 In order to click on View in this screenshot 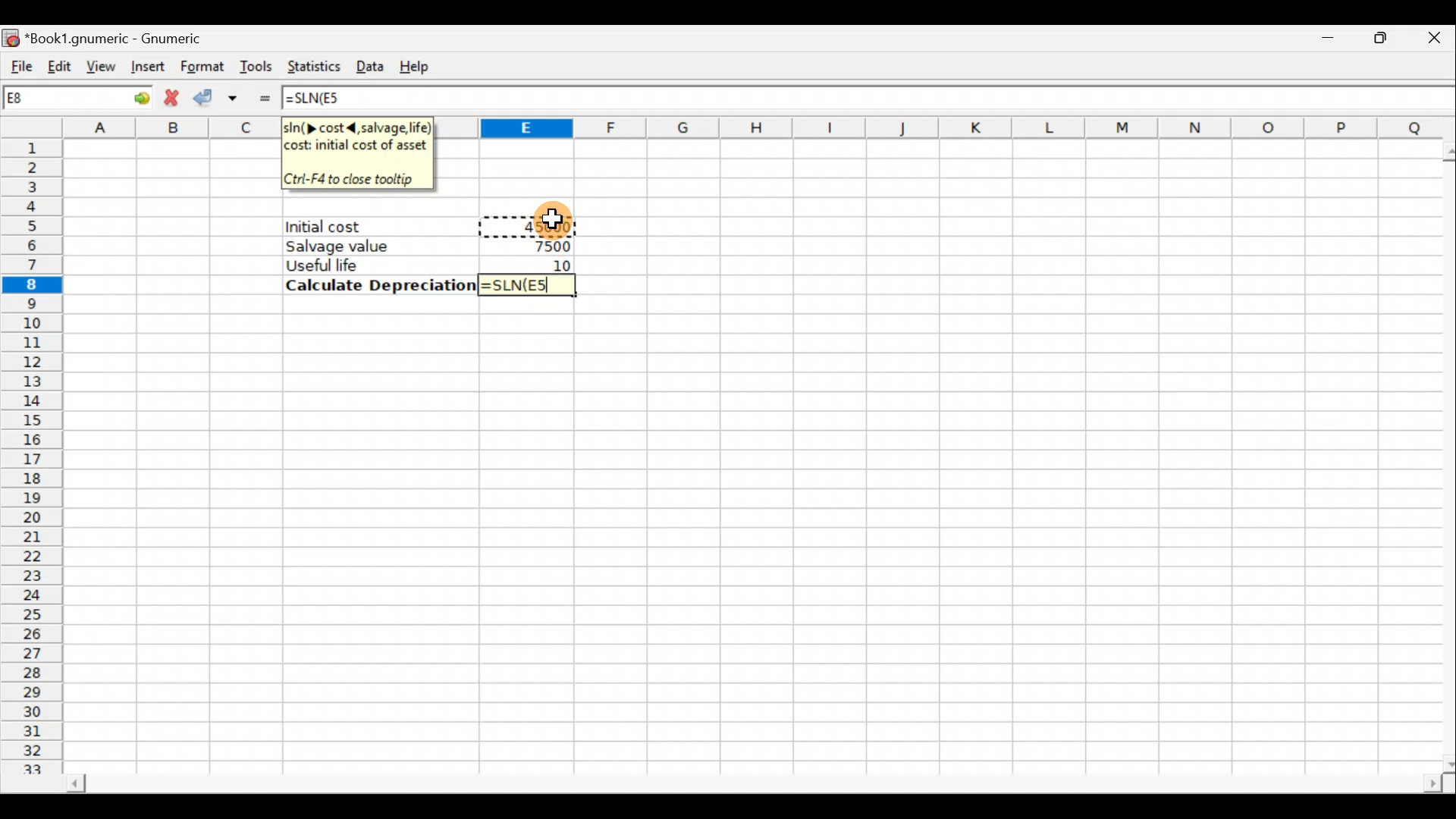, I will do `click(100, 64)`.